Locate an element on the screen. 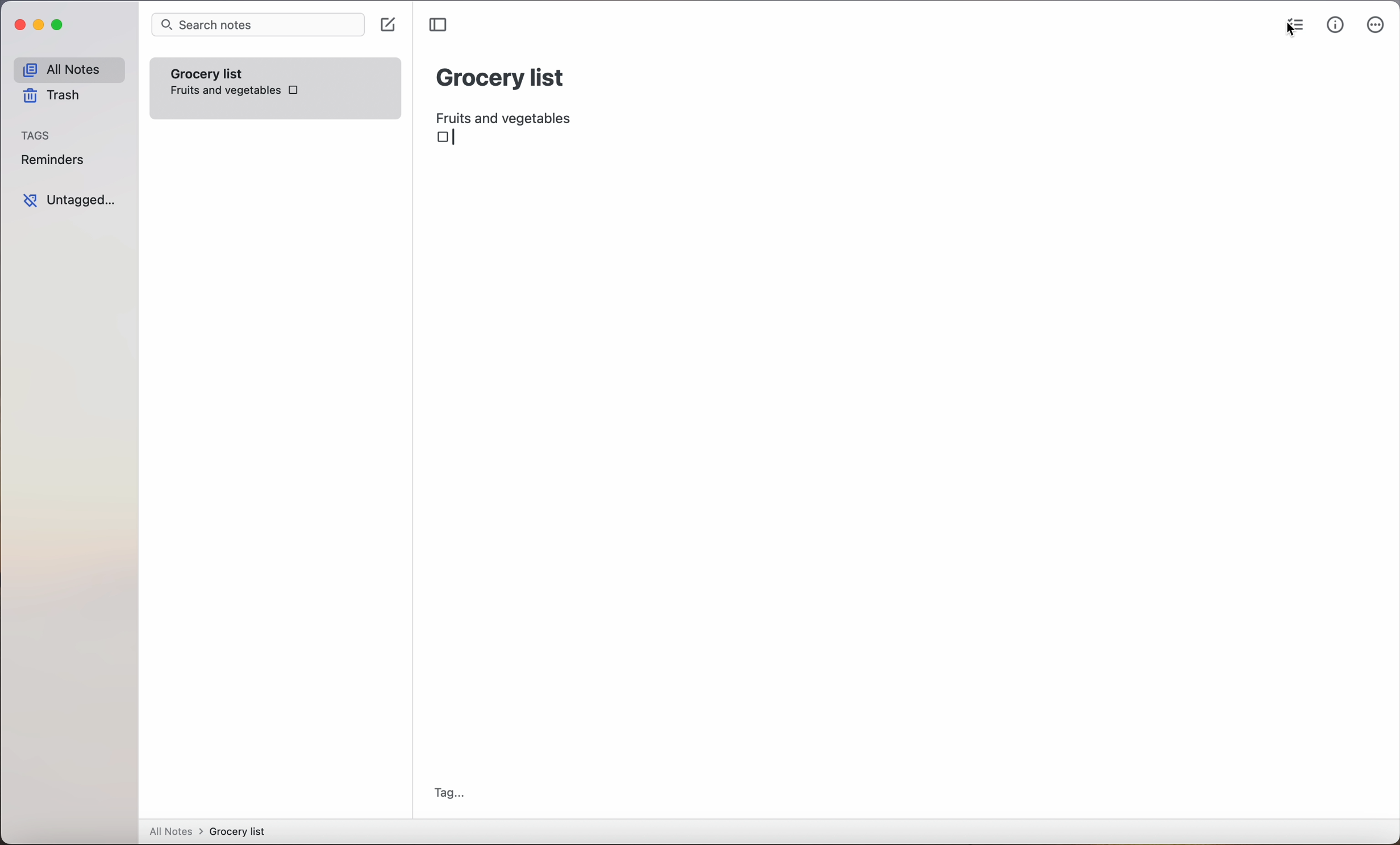  metrics is located at coordinates (1335, 26).